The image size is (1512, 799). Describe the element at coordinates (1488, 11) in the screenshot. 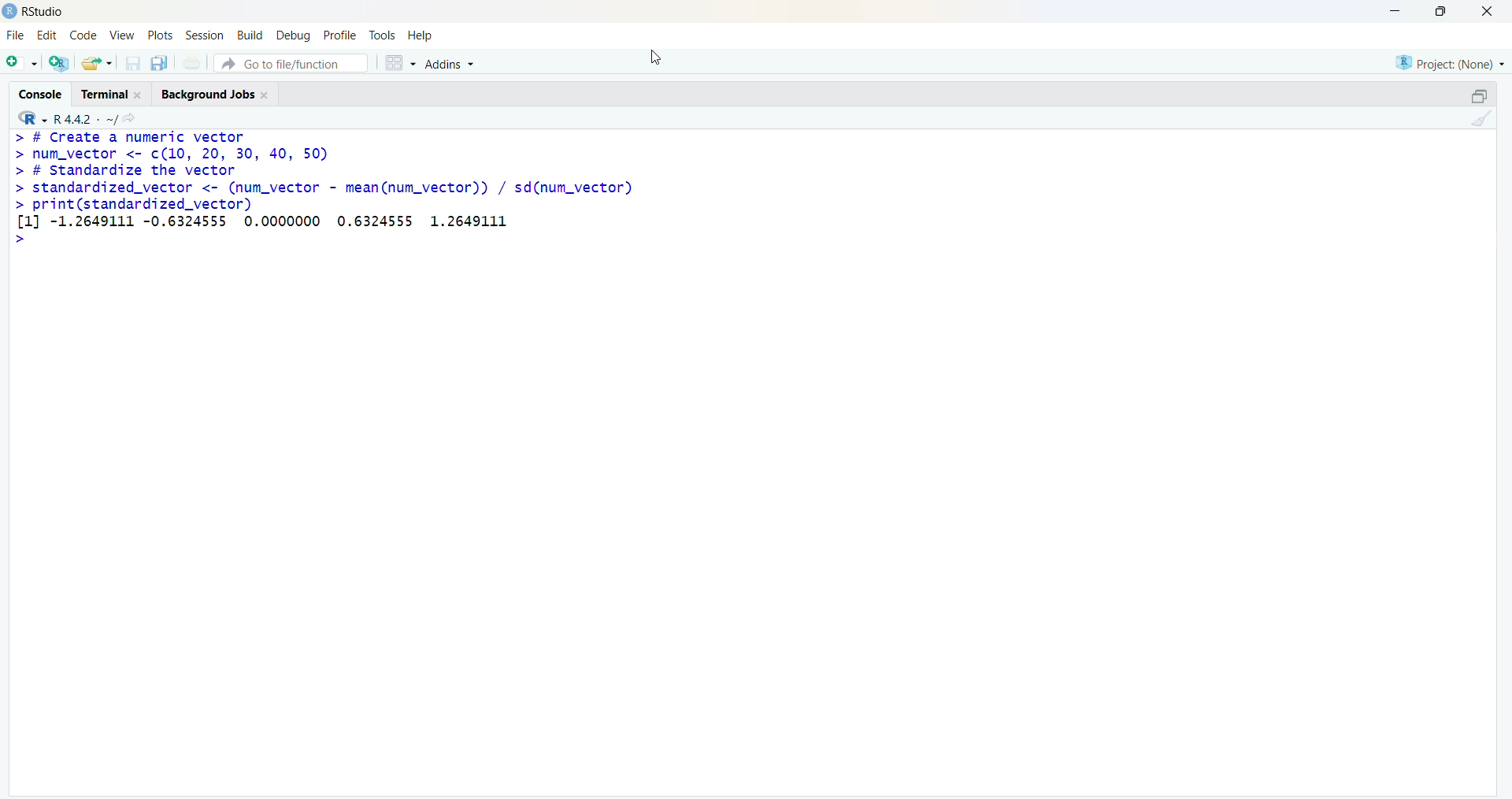

I see `close` at that location.